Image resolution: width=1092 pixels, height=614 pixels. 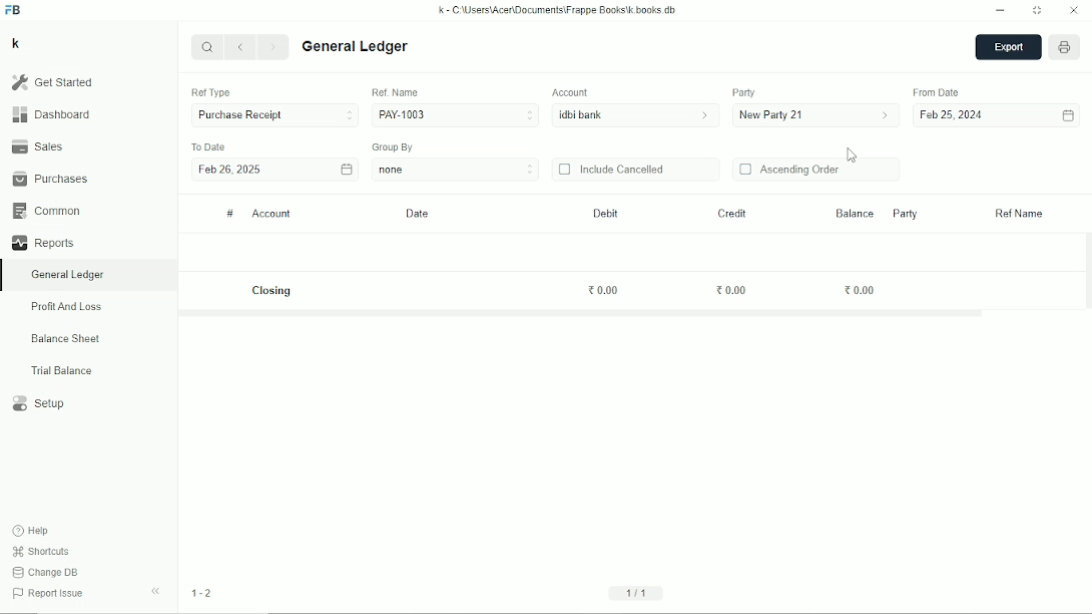 What do you see at coordinates (1020, 214) in the screenshot?
I see `Ref name` at bounding box center [1020, 214].